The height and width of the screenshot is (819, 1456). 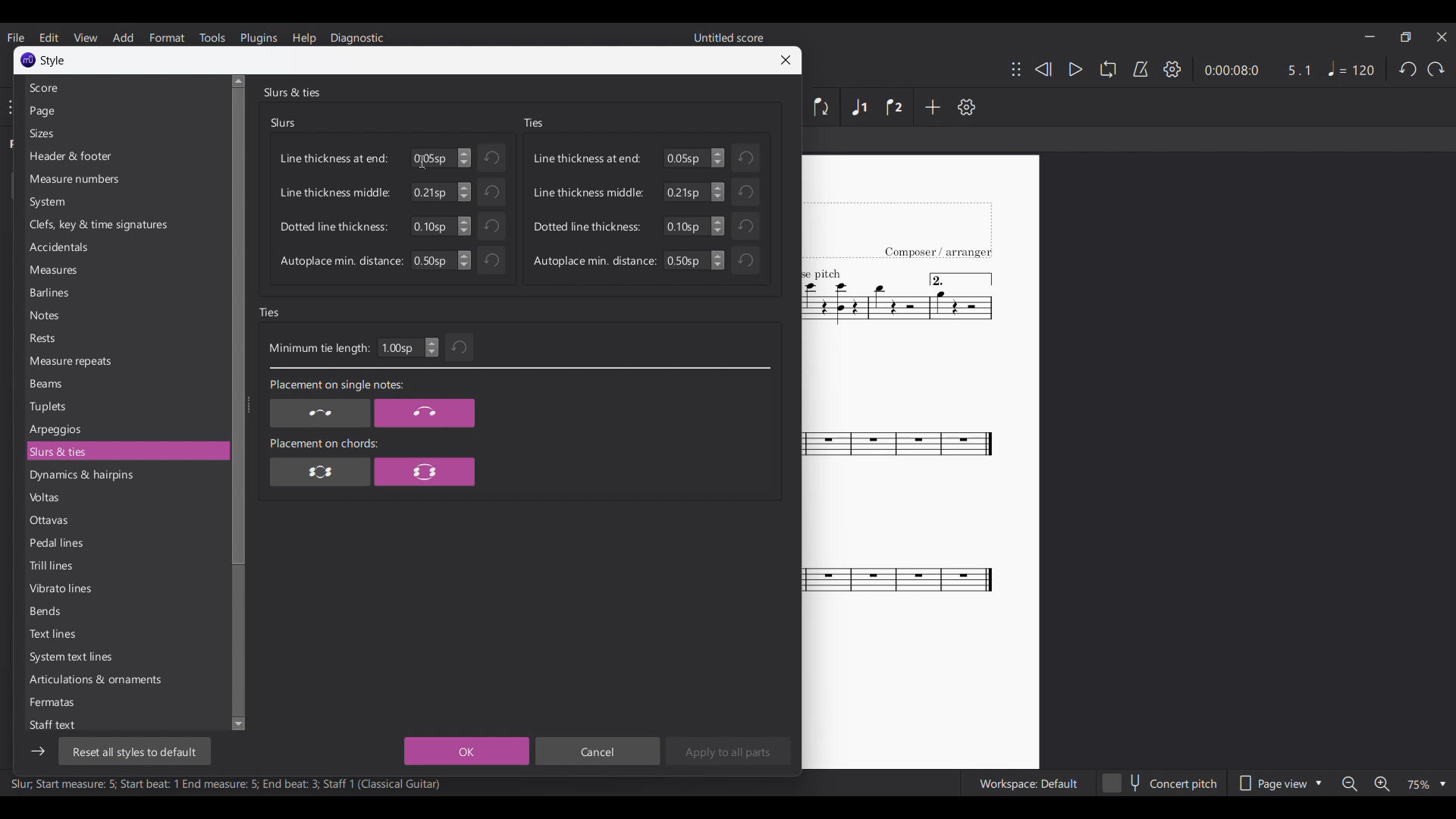 I want to click on System text lines, so click(x=125, y=657).